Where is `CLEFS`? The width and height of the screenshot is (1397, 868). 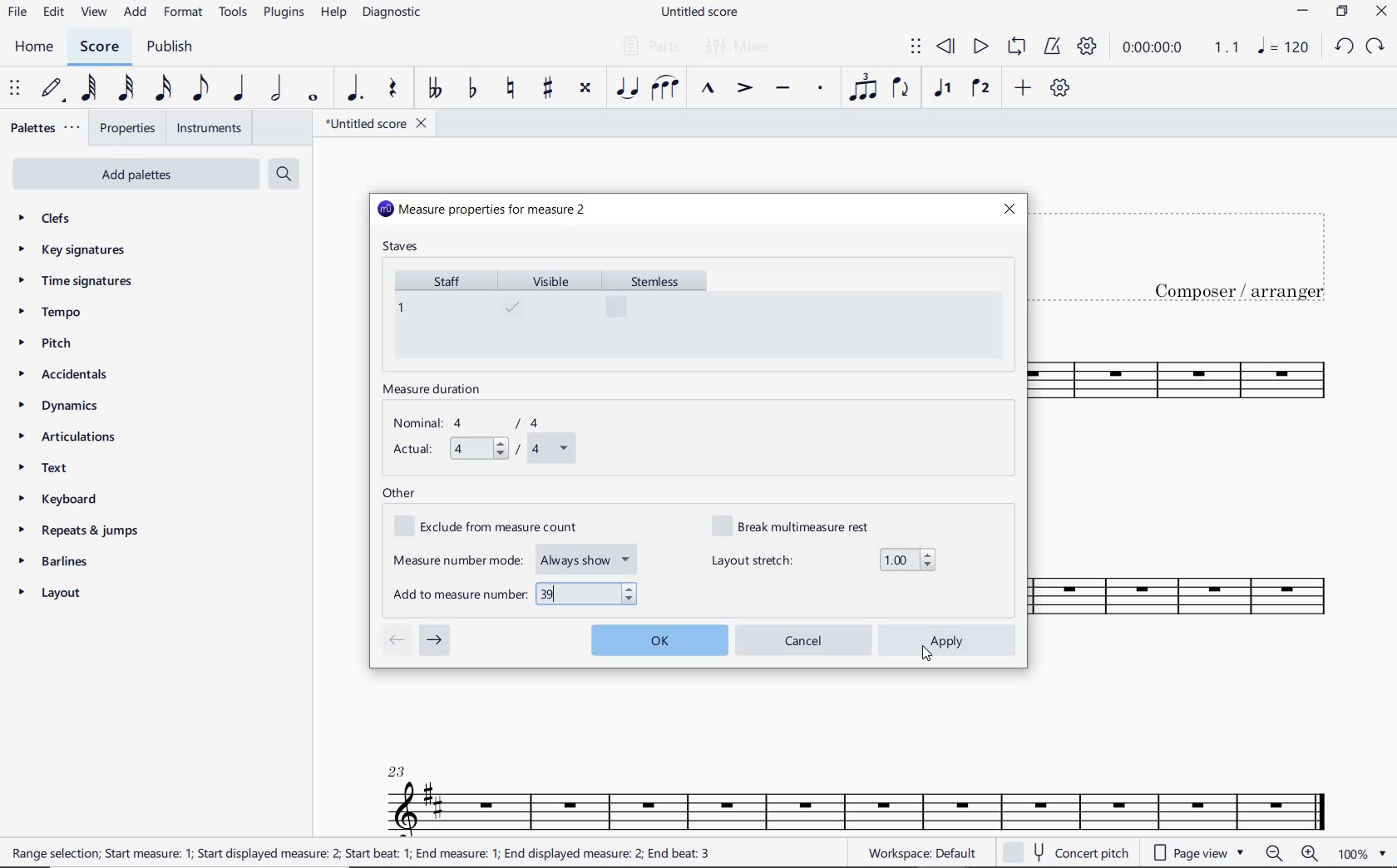 CLEFS is located at coordinates (55, 219).